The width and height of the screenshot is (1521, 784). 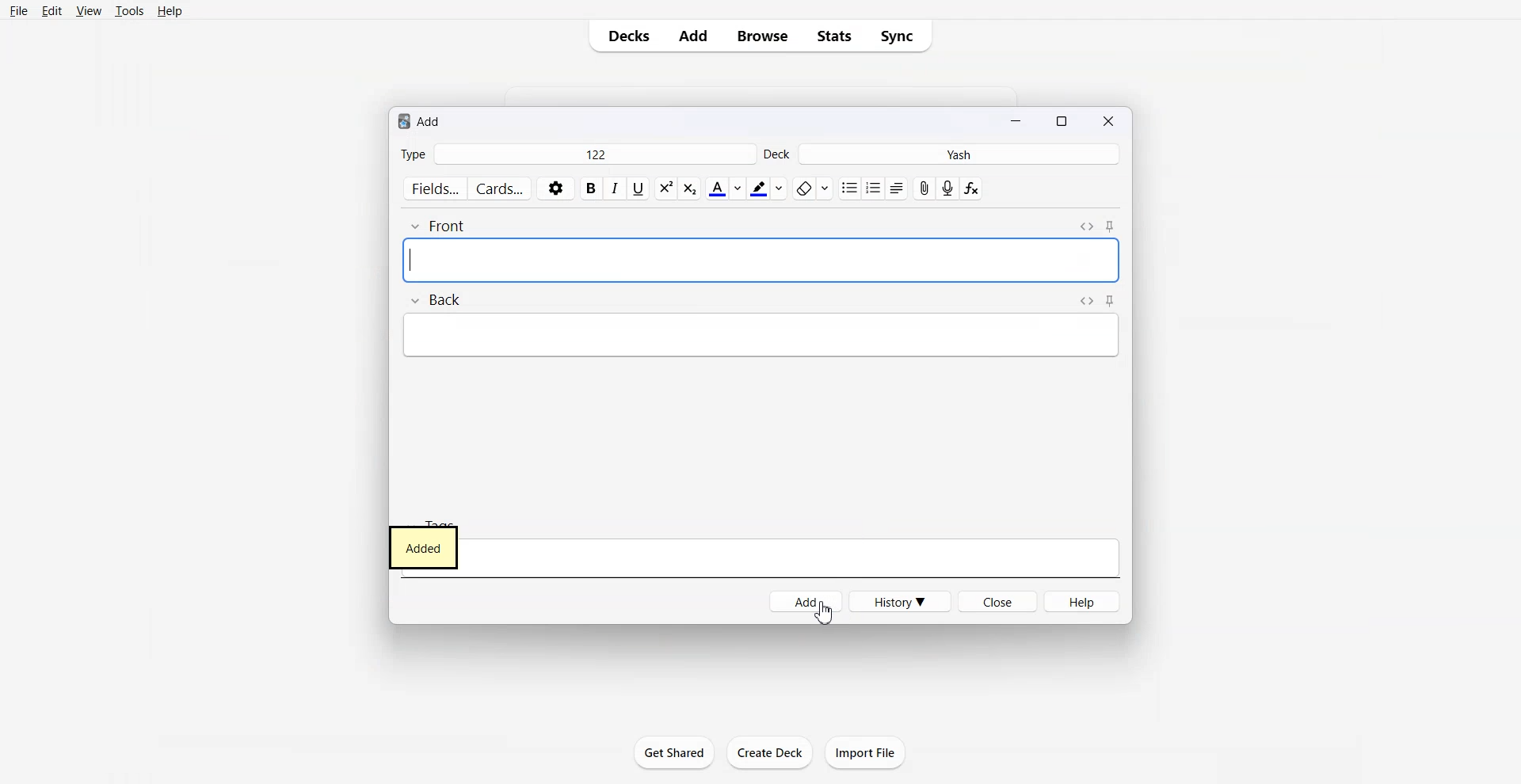 I want to click on Tools, so click(x=128, y=12).